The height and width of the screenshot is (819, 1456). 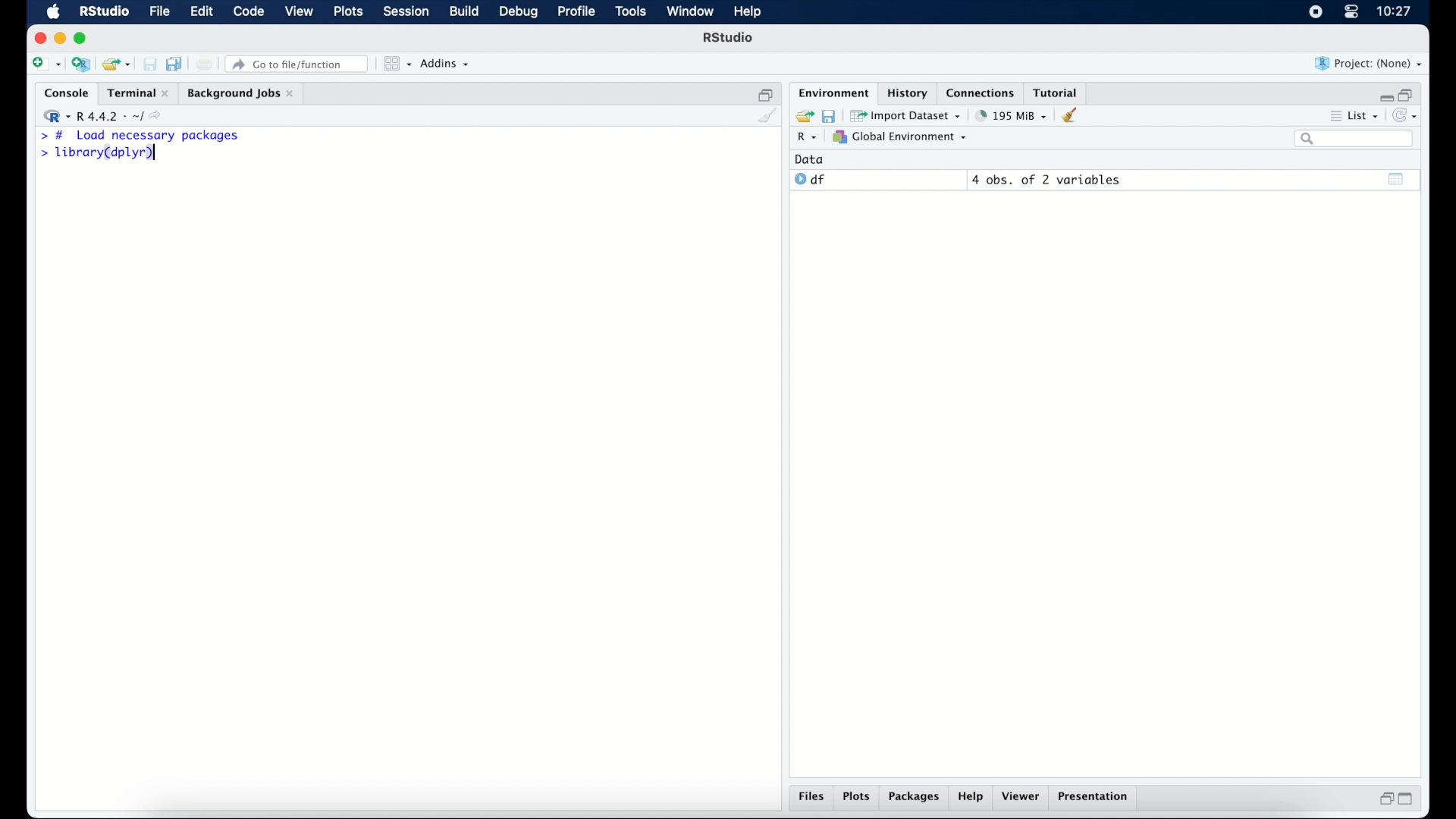 I want to click on search bar, so click(x=1353, y=140).